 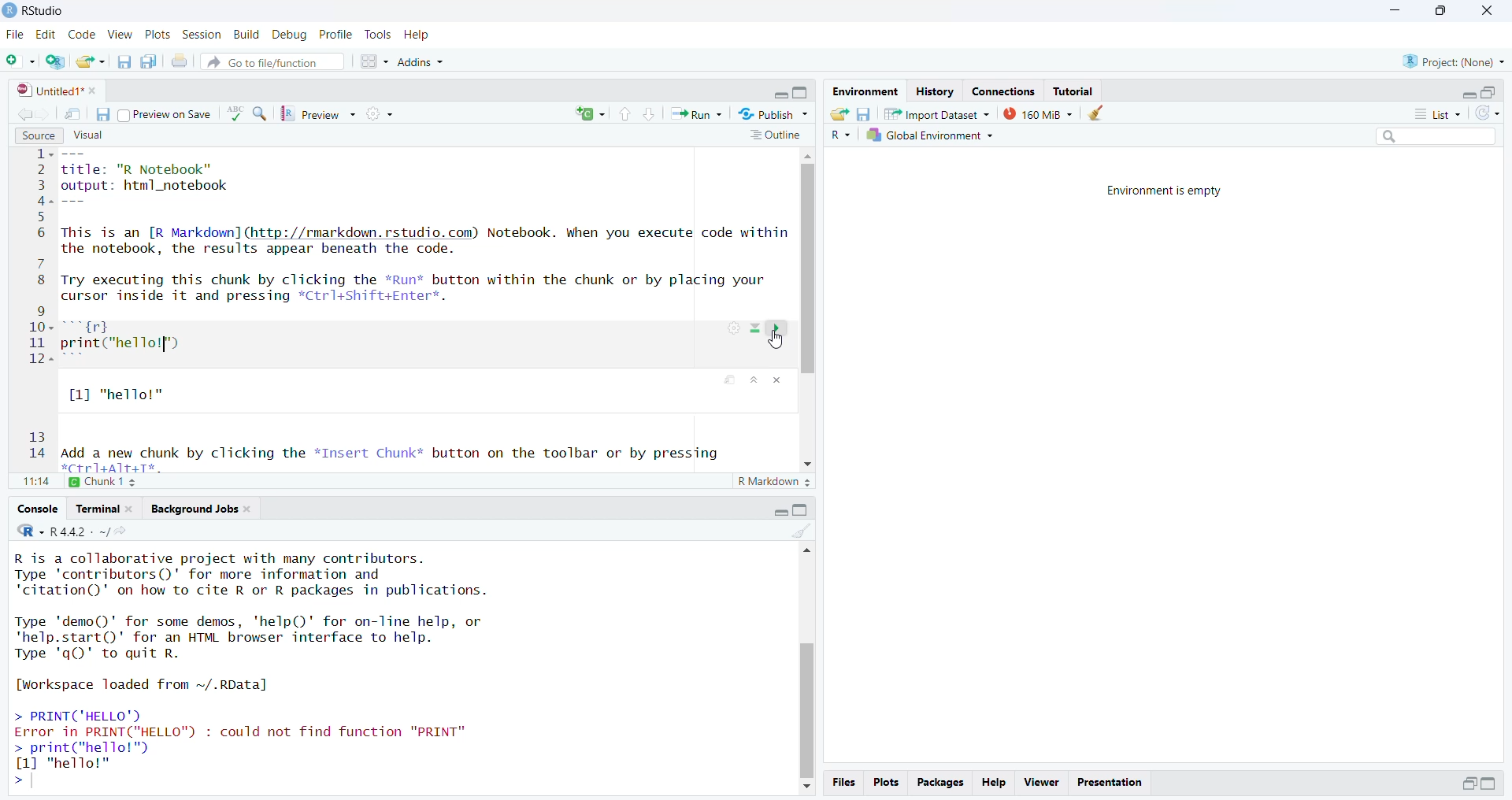 What do you see at coordinates (57, 91) in the screenshot?
I see `untitled1` at bounding box center [57, 91].